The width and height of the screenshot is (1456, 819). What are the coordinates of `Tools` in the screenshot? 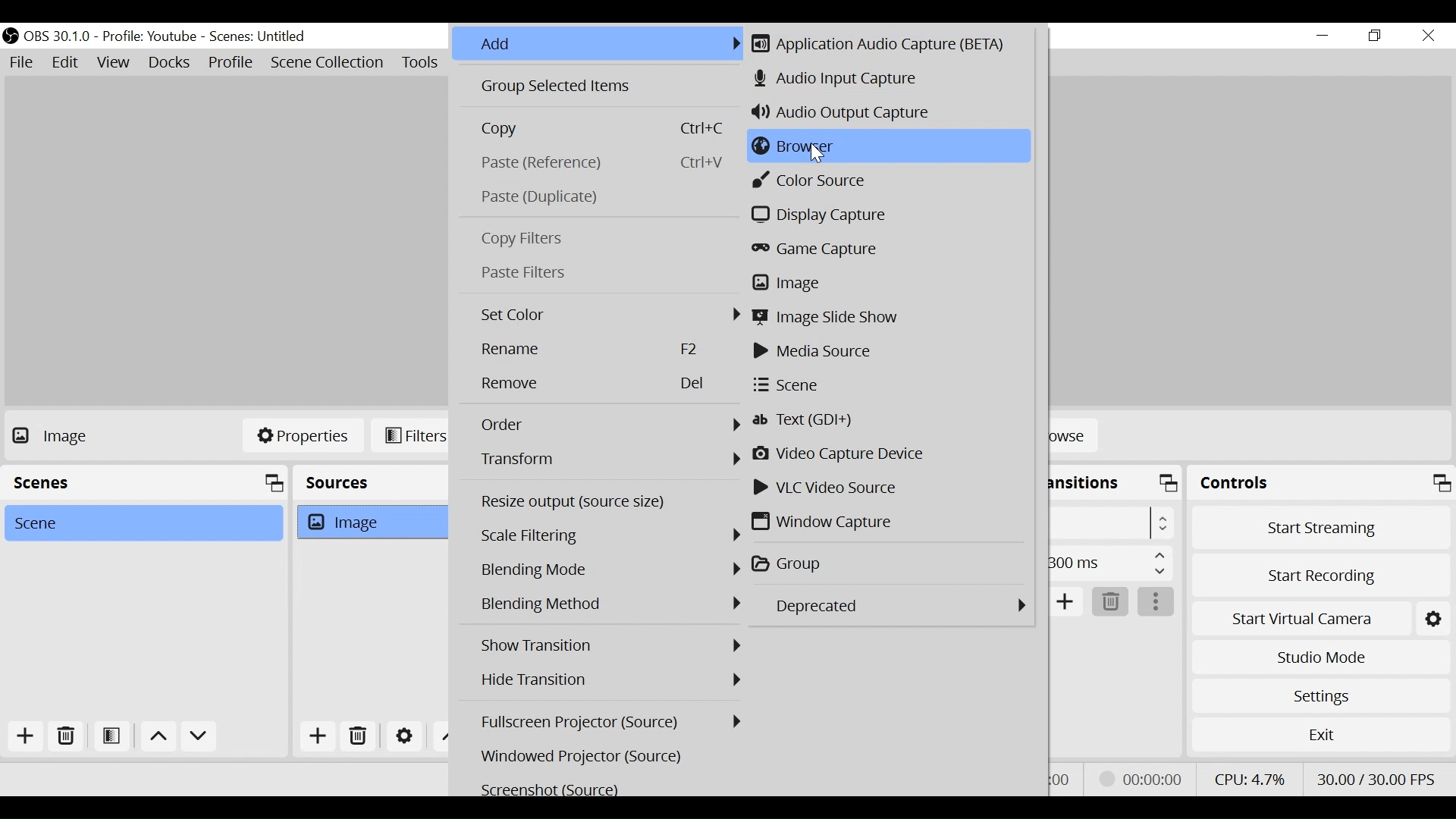 It's located at (422, 64).